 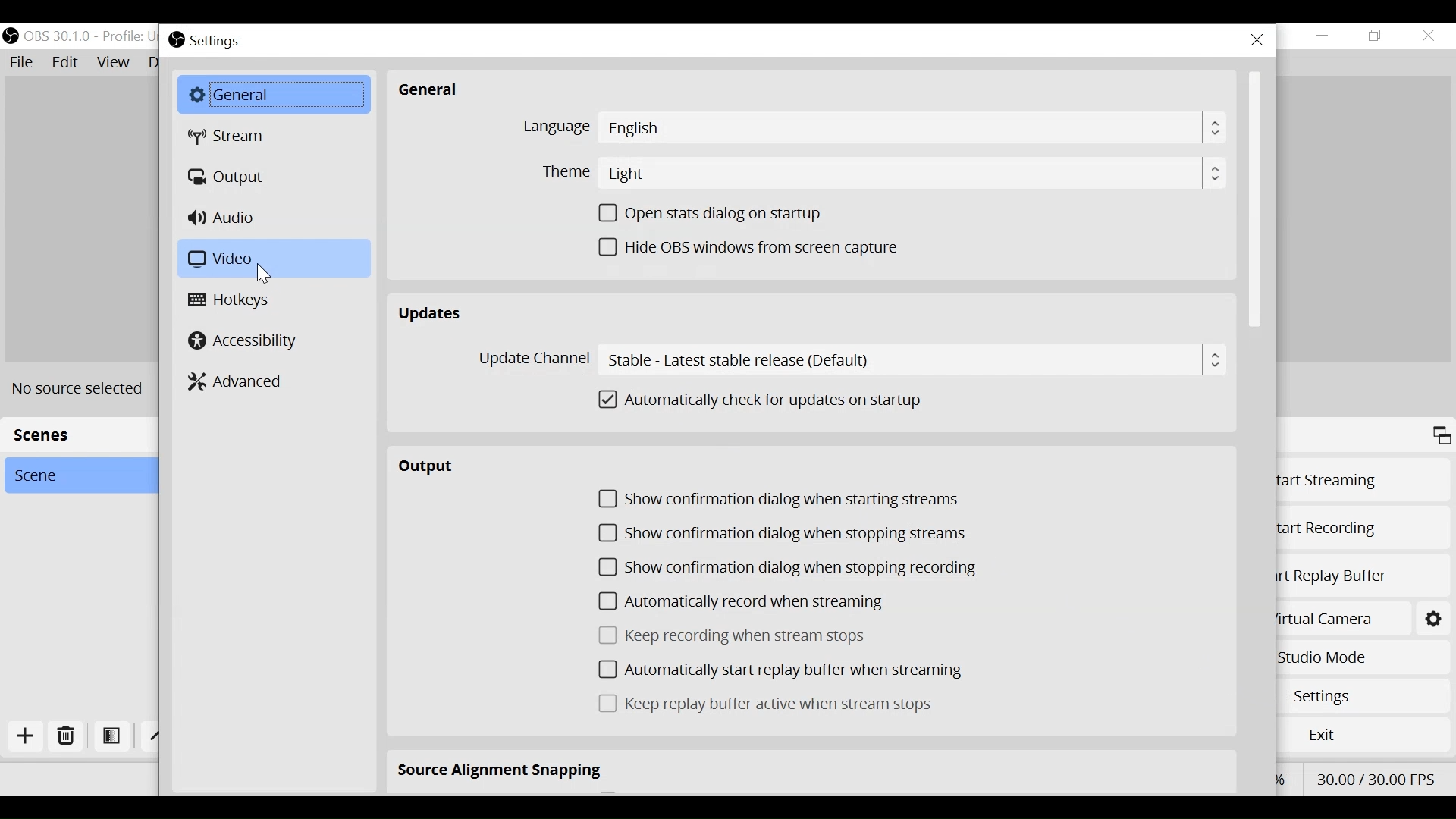 I want to click on Video, so click(x=271, y=259).